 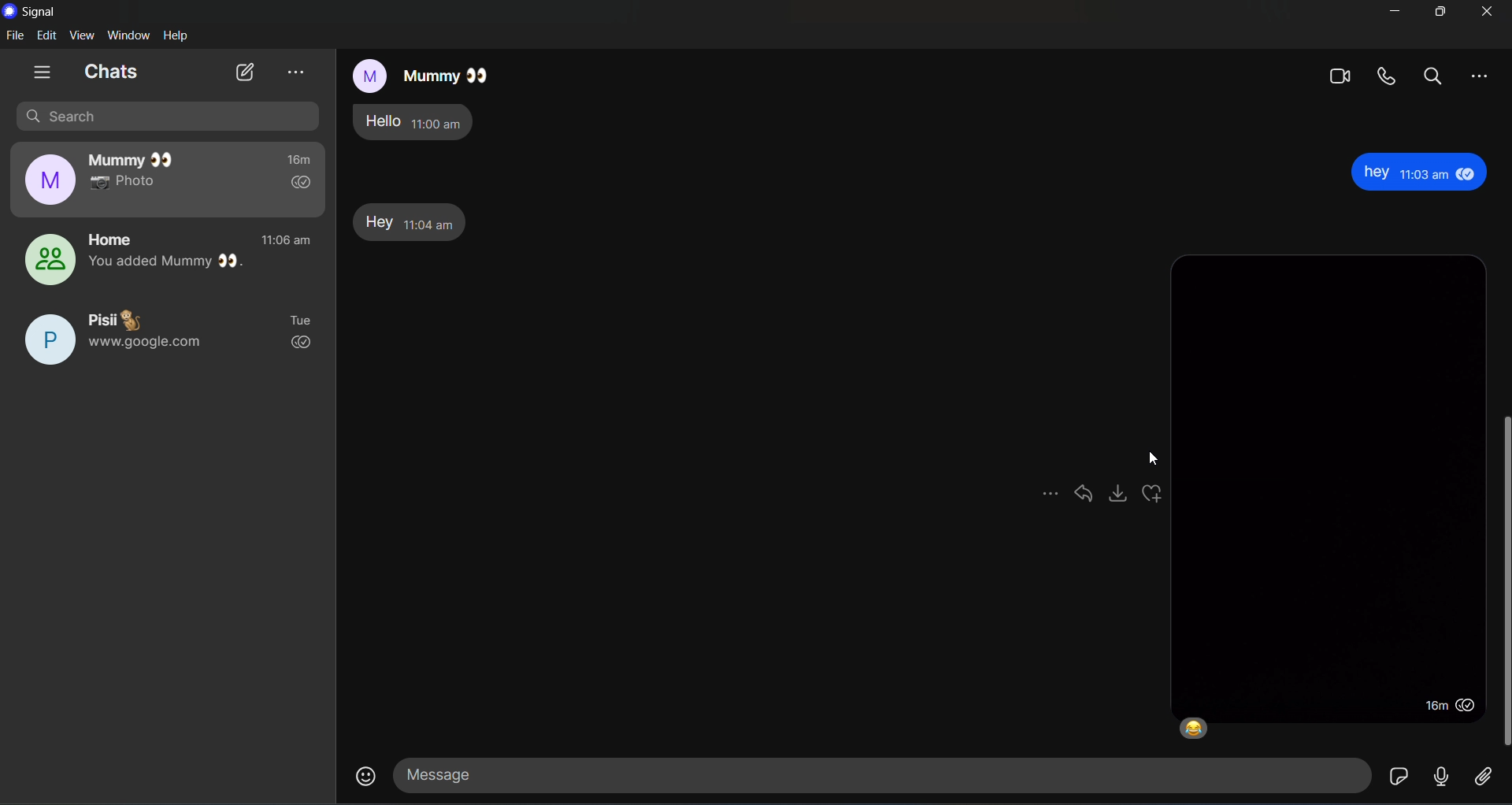 I want to click on title, so click(x=42, y=13).